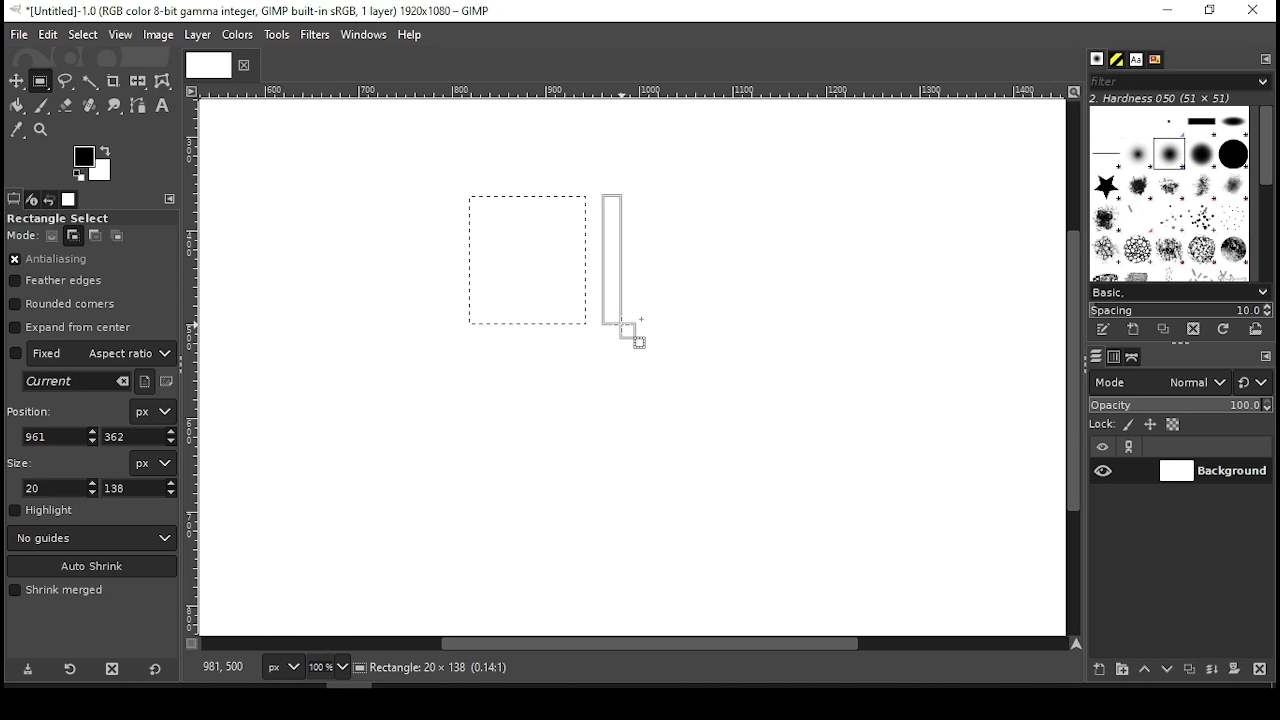 Image resolution: width=1280 pixels, height=720 pixels. What do you see at coordinates (1071, 367) in the screenshot?
I see `scroll bar` at bounding box center [1071, 367].